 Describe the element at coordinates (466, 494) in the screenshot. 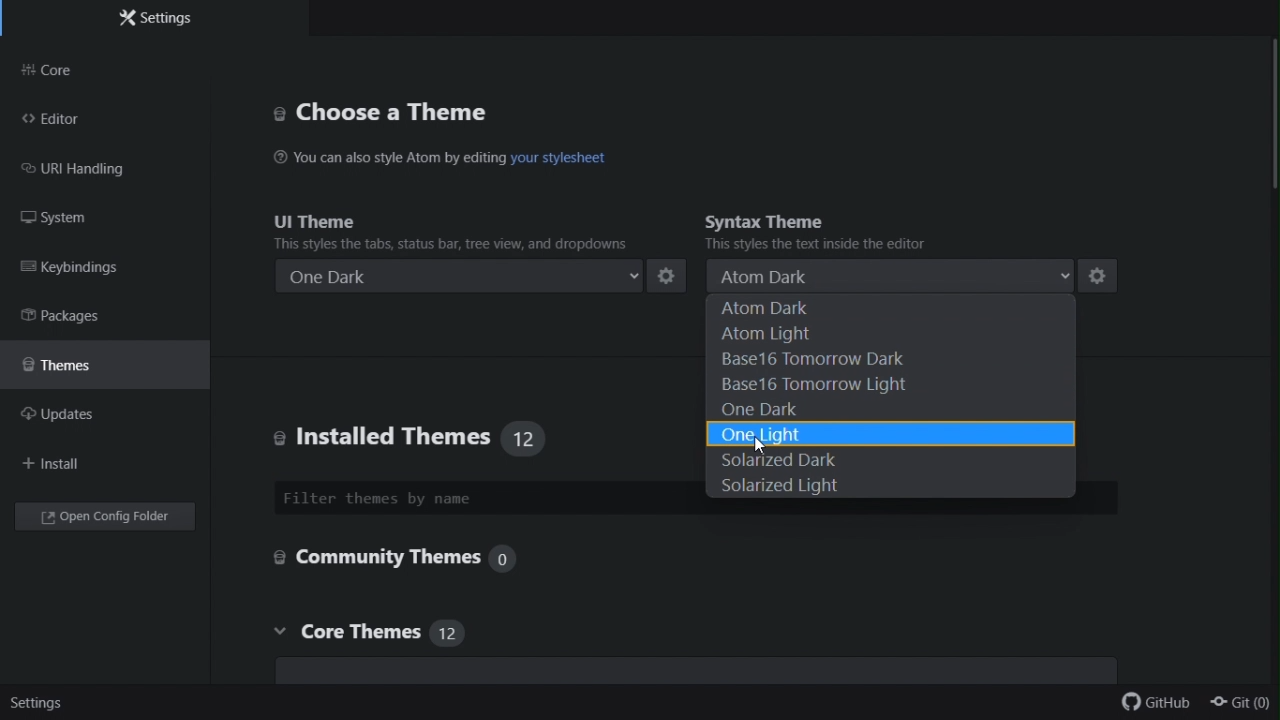

I see `Filter themes by name` at that location.